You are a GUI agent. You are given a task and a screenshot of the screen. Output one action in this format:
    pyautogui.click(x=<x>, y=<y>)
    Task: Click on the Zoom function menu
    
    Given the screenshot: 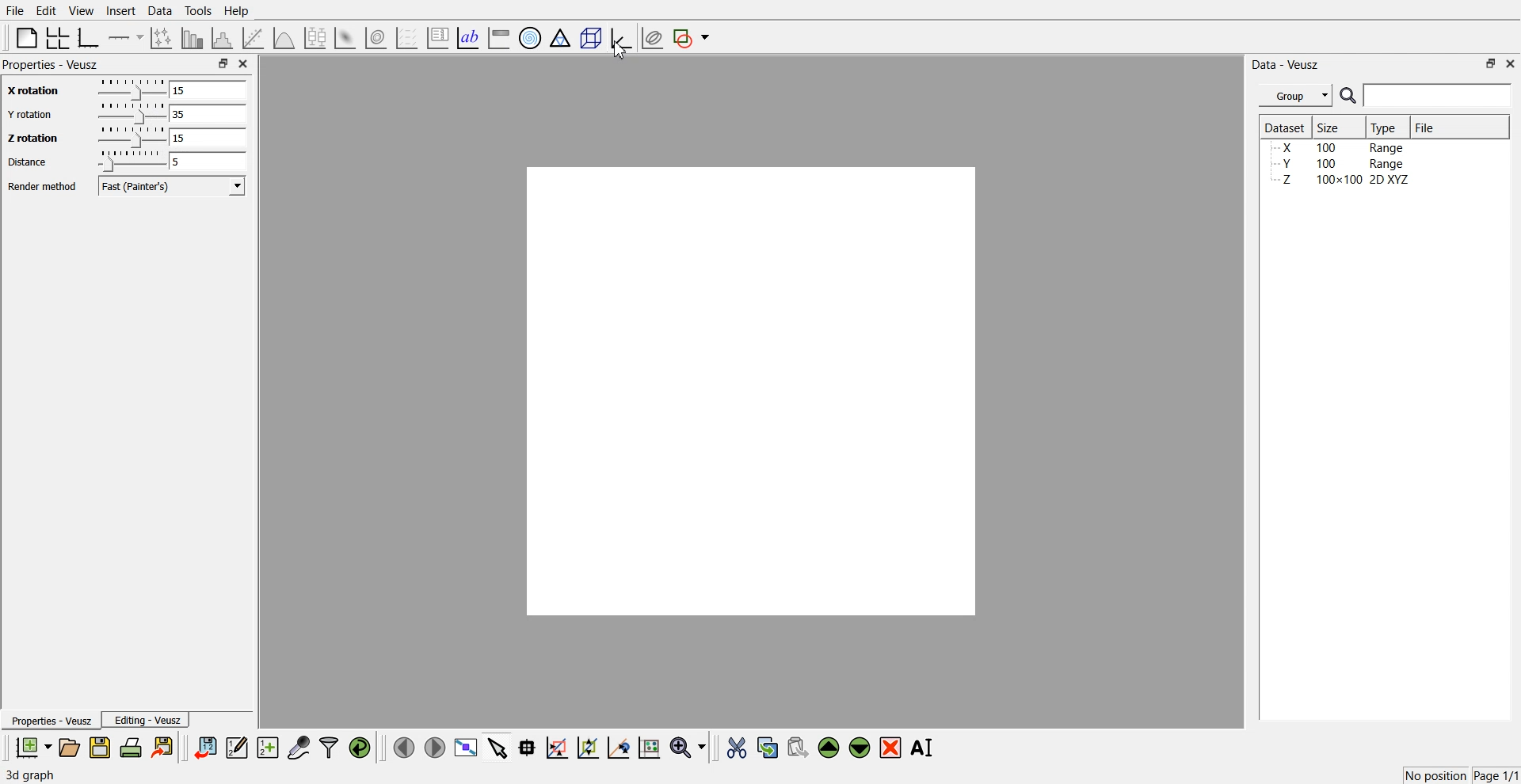 What is the action you would take?
    pyautogui.click(x=690, y=747)
    